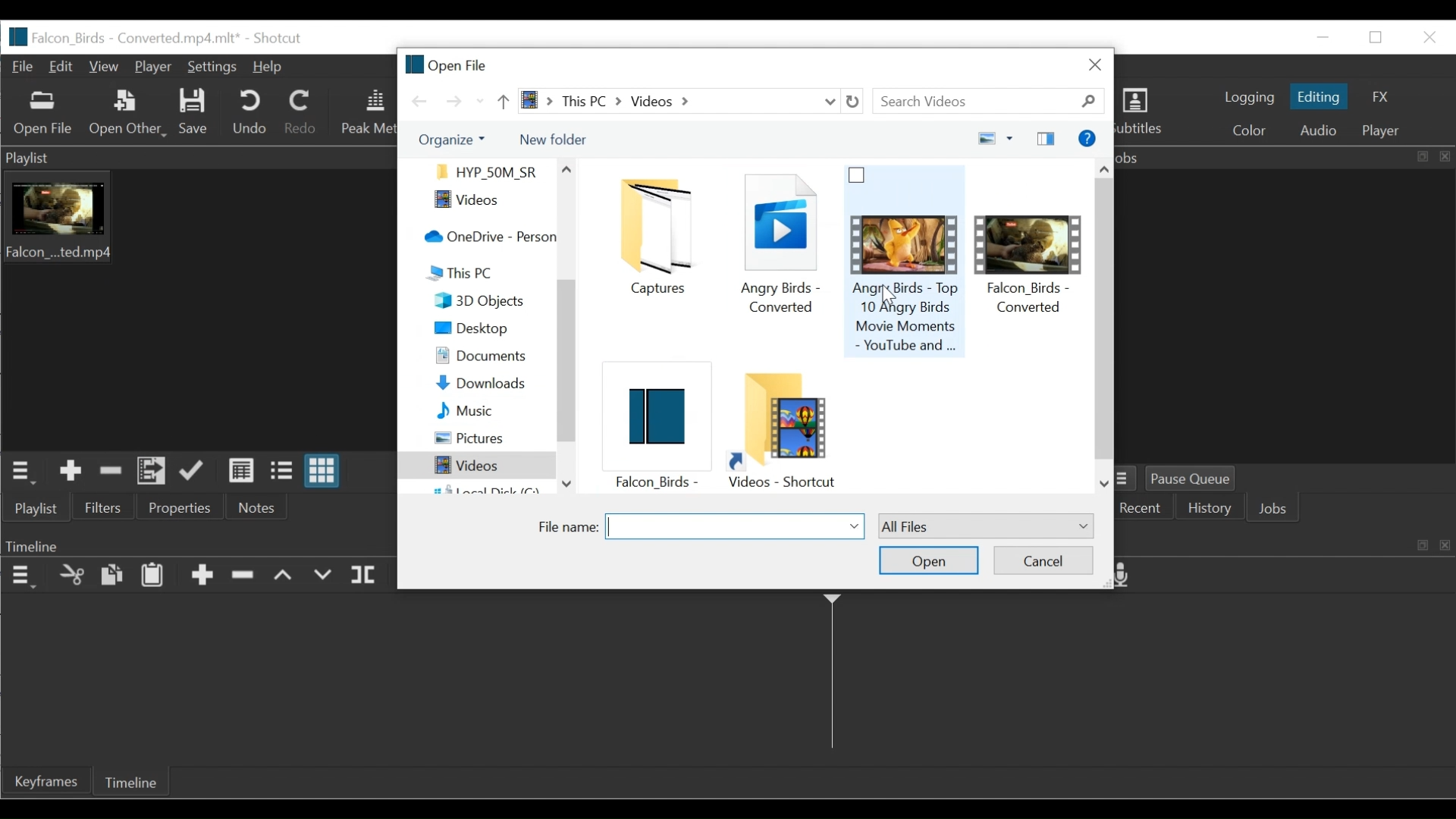 This screenshot has height=819, width=1456. I want to click on FX, so click(1377, 98).